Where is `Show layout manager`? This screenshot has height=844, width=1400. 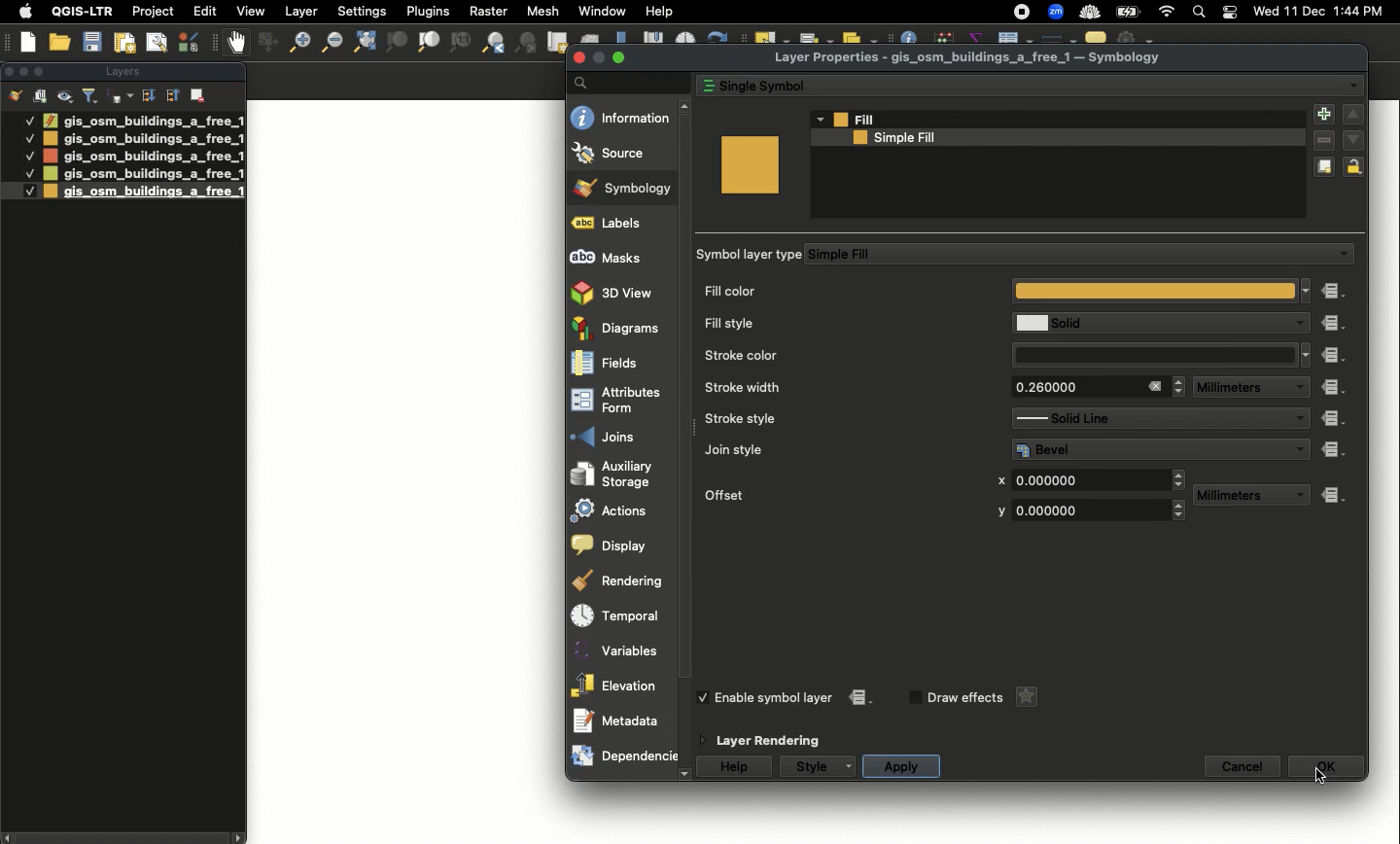 Show layout manager is located at coordinates (156, 43).